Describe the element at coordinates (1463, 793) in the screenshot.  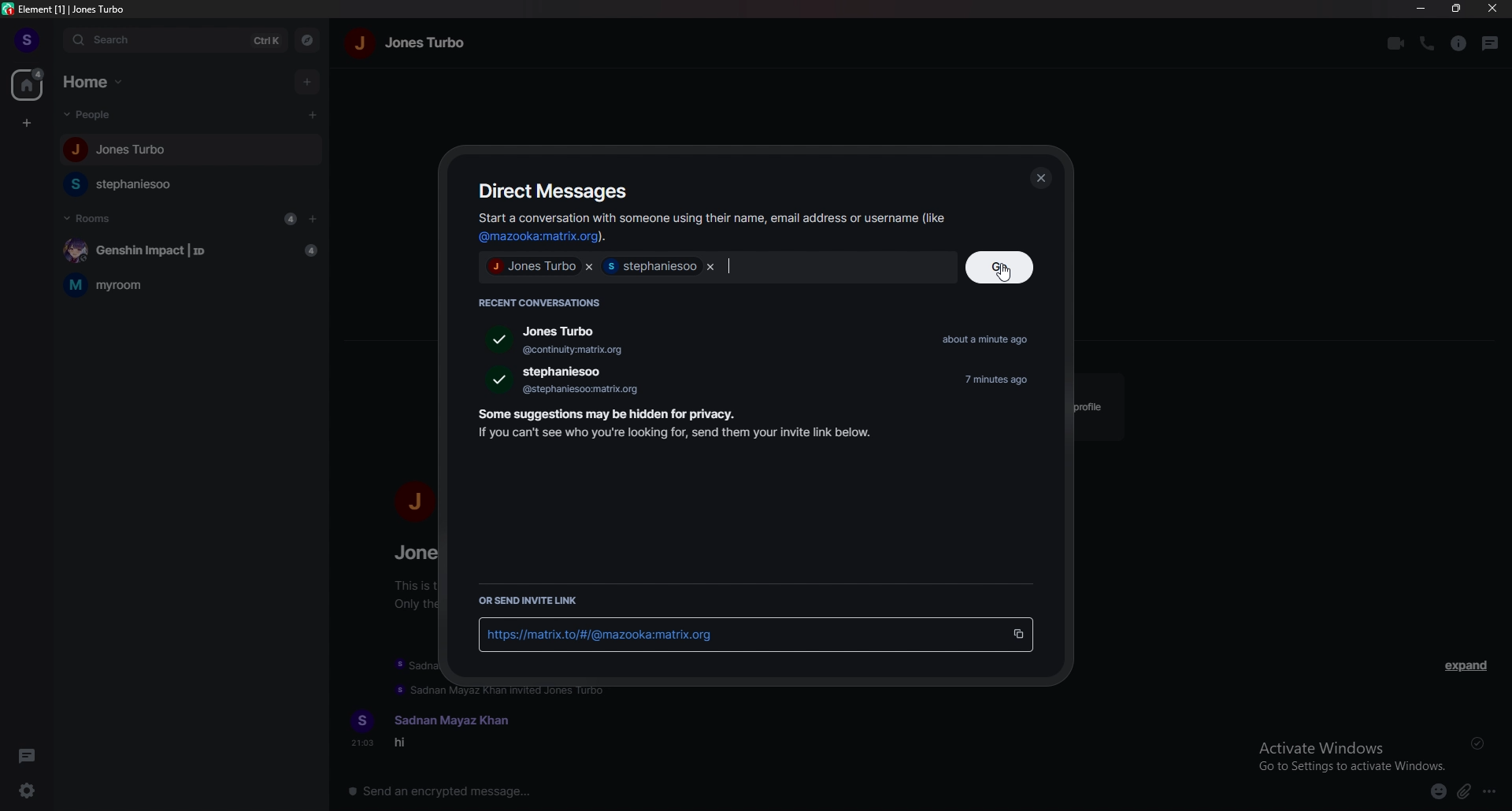
I see `attachments` at that location.